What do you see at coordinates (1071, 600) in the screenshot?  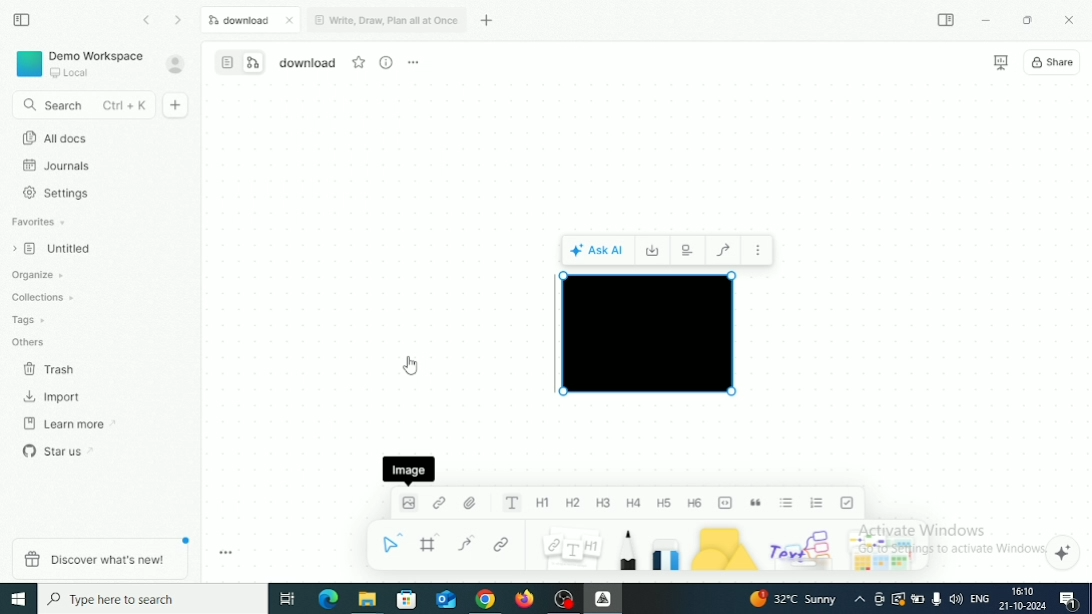 I see `Notifications` at bounding box center [1071, 600].